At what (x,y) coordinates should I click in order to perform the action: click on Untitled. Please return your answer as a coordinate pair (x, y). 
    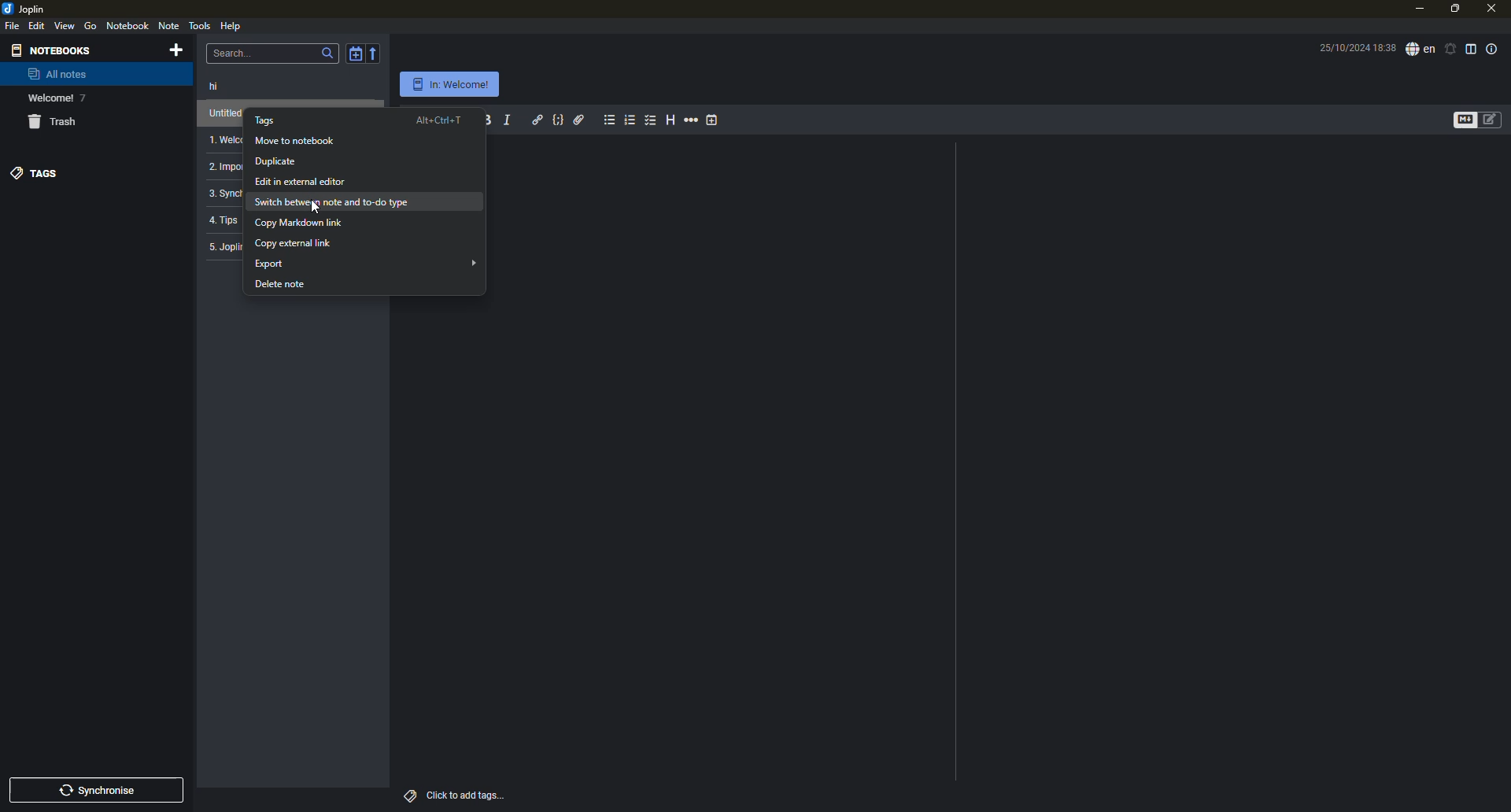
    Looking at the image, I should click on (220, 113).